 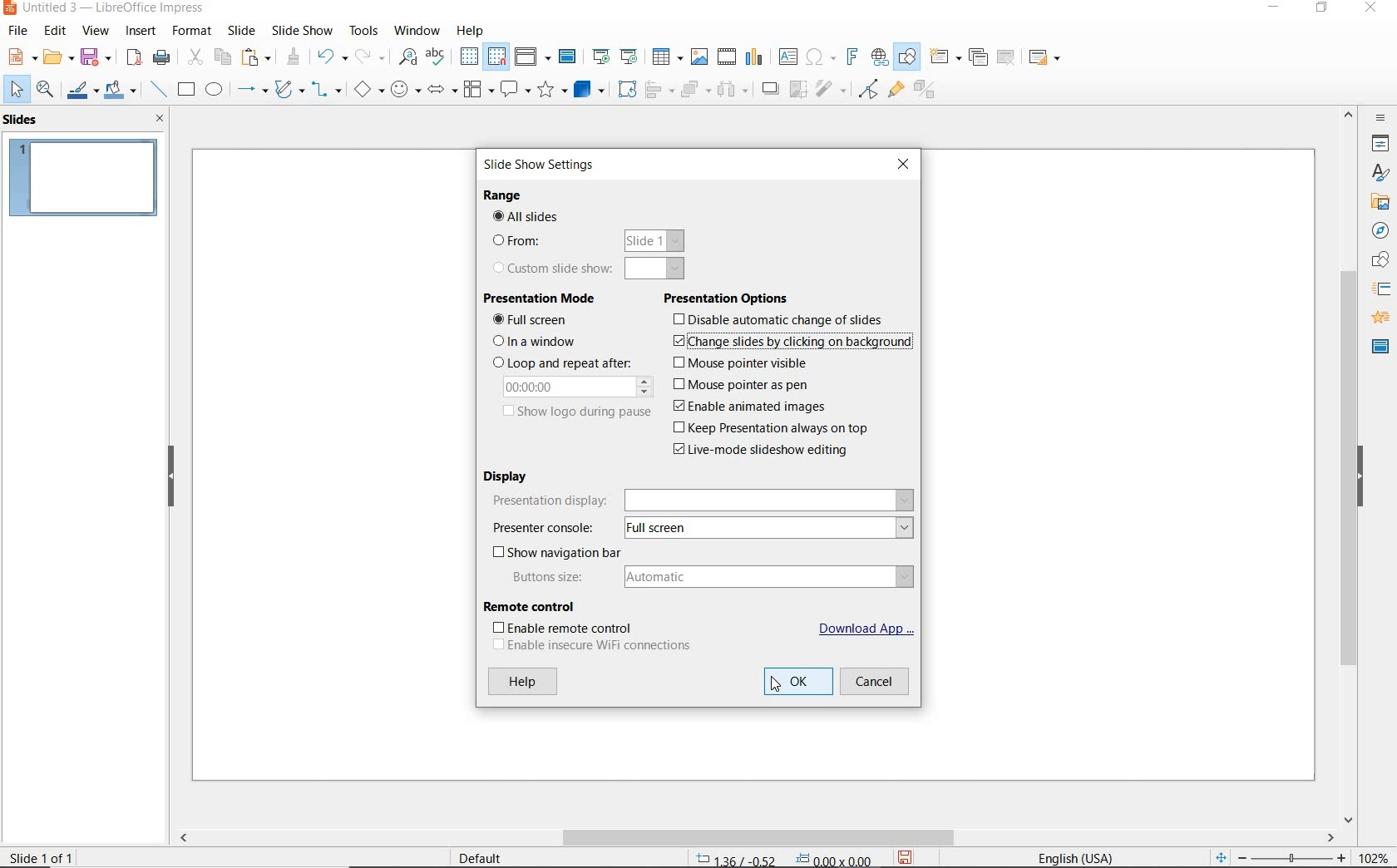 I want to click on PRESENTATION MODE, so click(x=551, y=299).